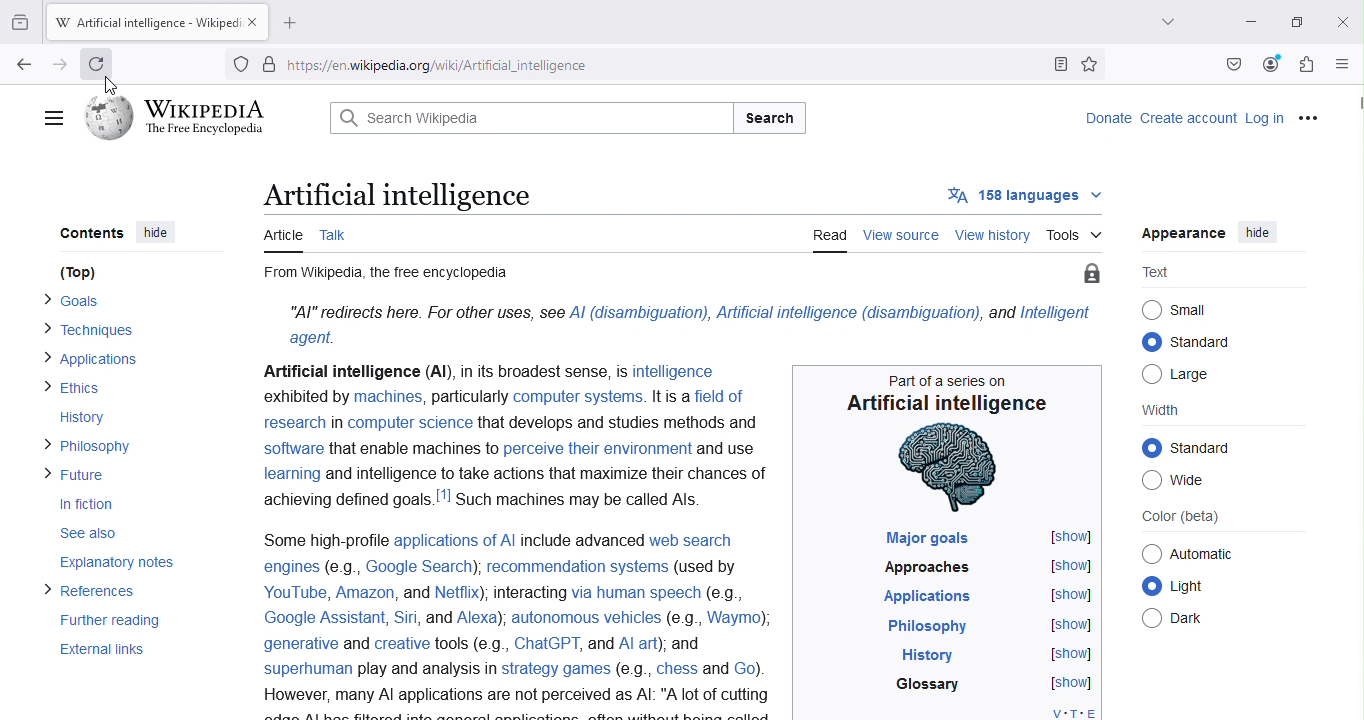 The width and height of the screenshot is (1364, 720). Describe the element at coordinates (1074, 628) in the screenshot. I see `[show]` at that location.